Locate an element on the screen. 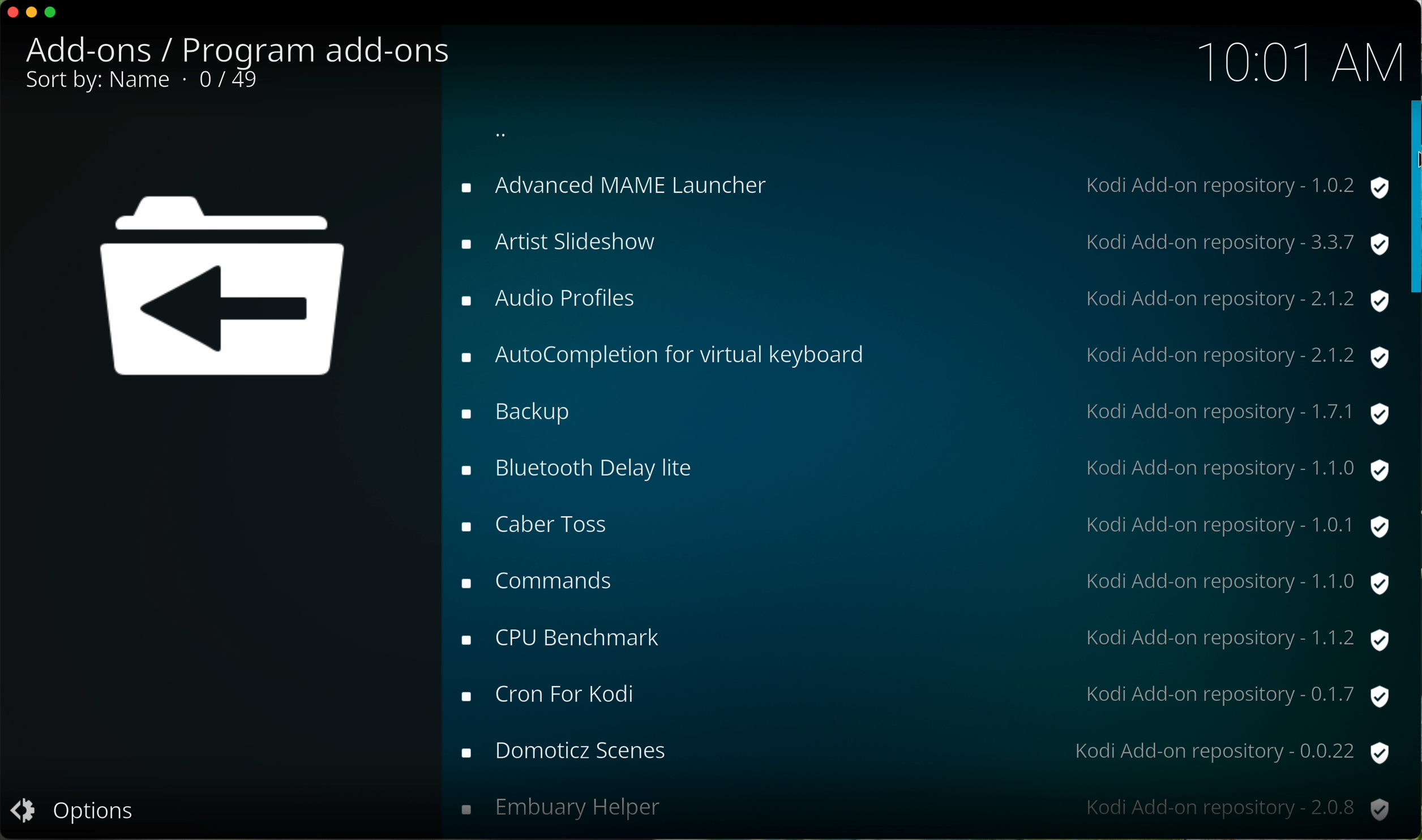 The height and width of the screenshot is (840, 1422). minimize is located at coordinates (32, 16).